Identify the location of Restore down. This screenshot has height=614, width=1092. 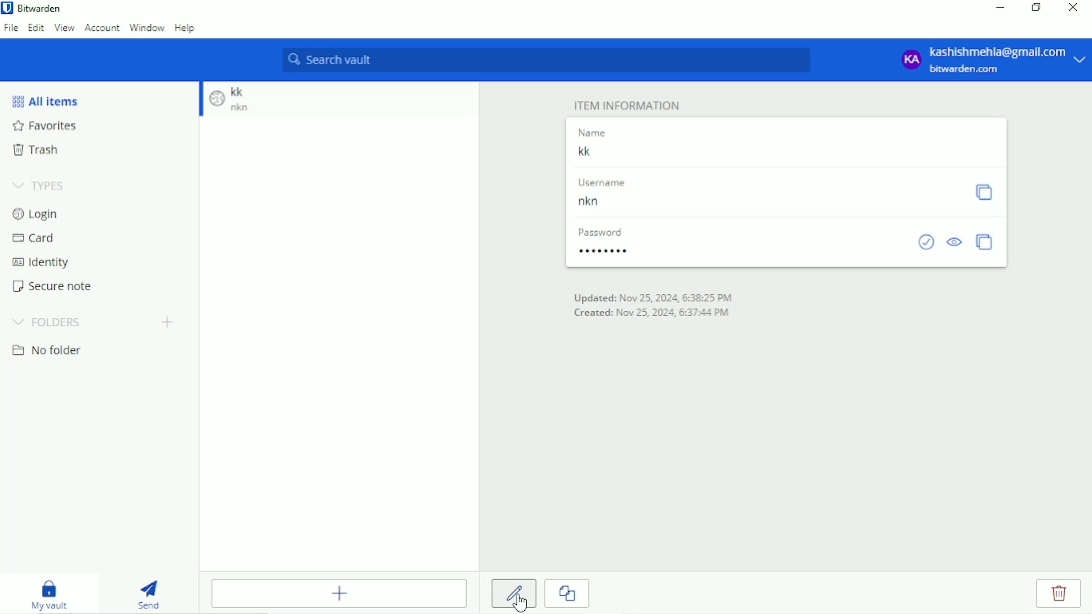
(1038, 8).